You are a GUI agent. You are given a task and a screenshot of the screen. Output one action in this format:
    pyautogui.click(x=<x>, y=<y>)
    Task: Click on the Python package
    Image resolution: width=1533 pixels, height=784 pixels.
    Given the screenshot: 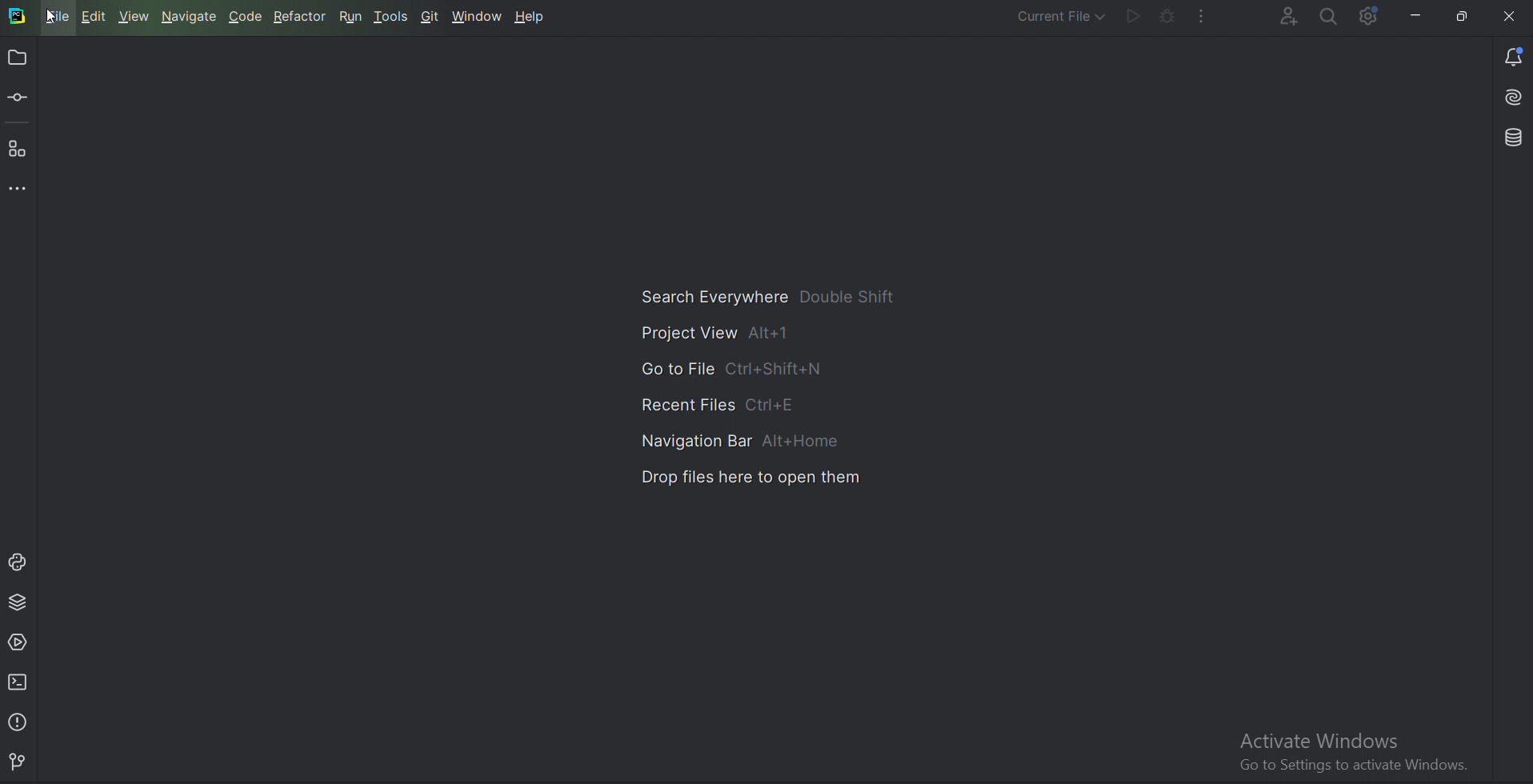 What is the action you would take?
    pyautogui.click(x=20, y=602)
    